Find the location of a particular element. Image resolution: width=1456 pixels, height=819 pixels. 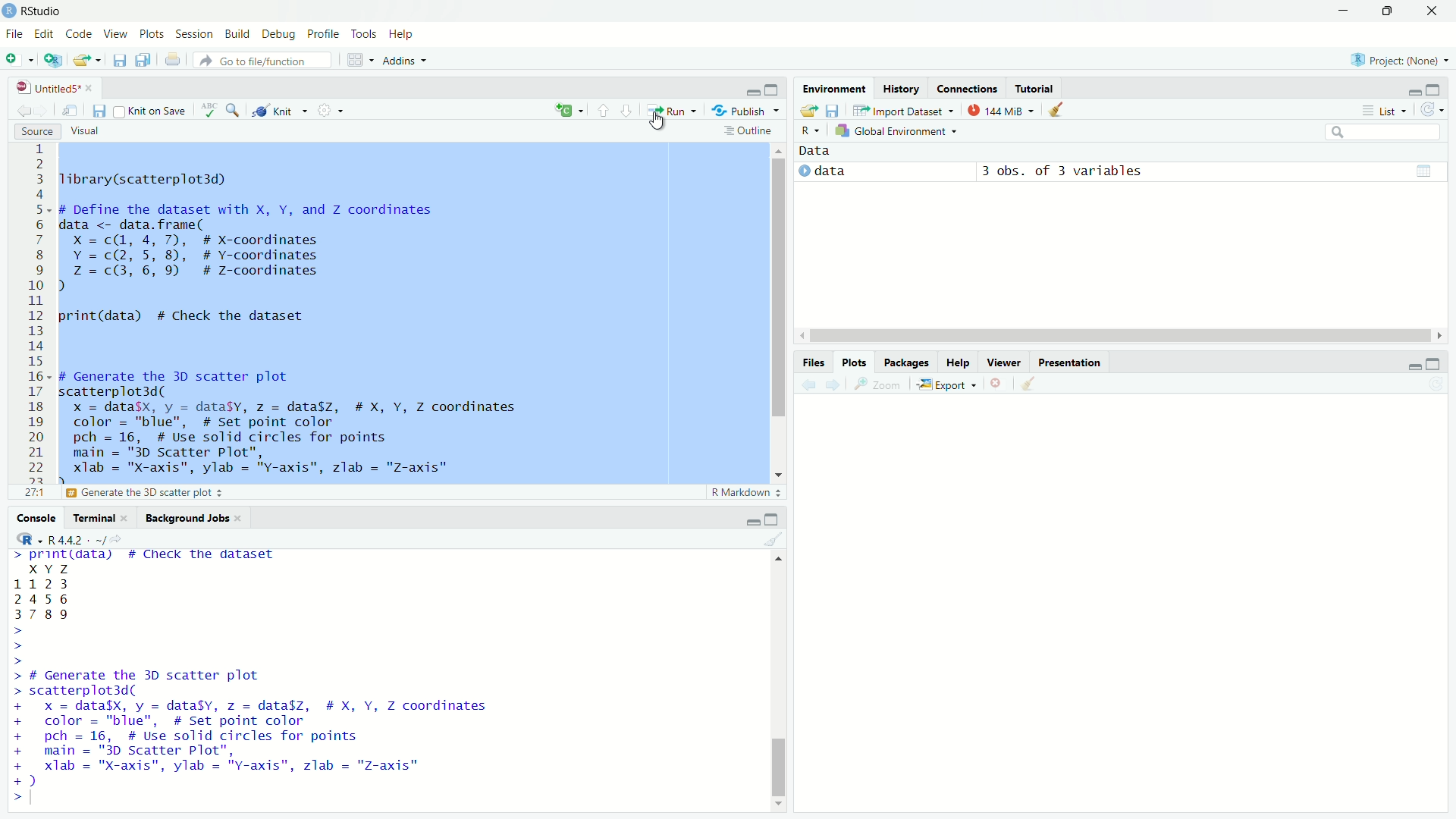

scrollbar is located at coordinates (778, 306).